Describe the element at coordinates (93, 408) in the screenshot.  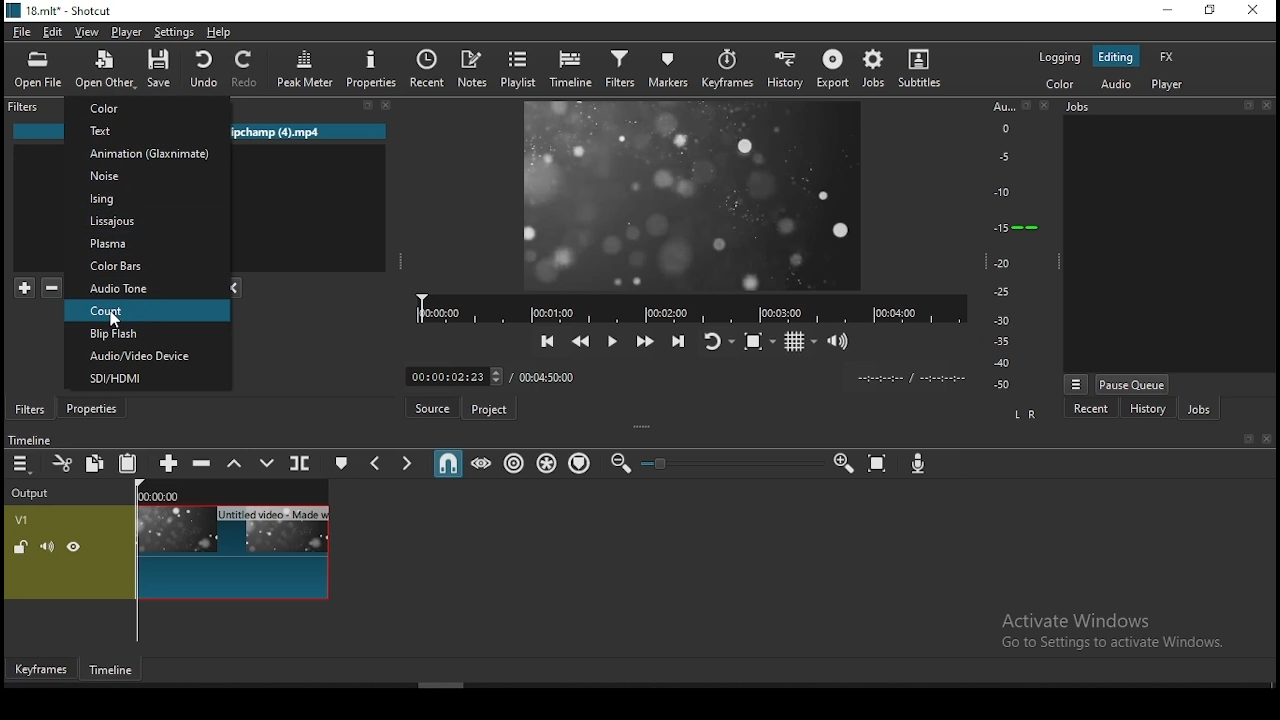
I see `` at that location.